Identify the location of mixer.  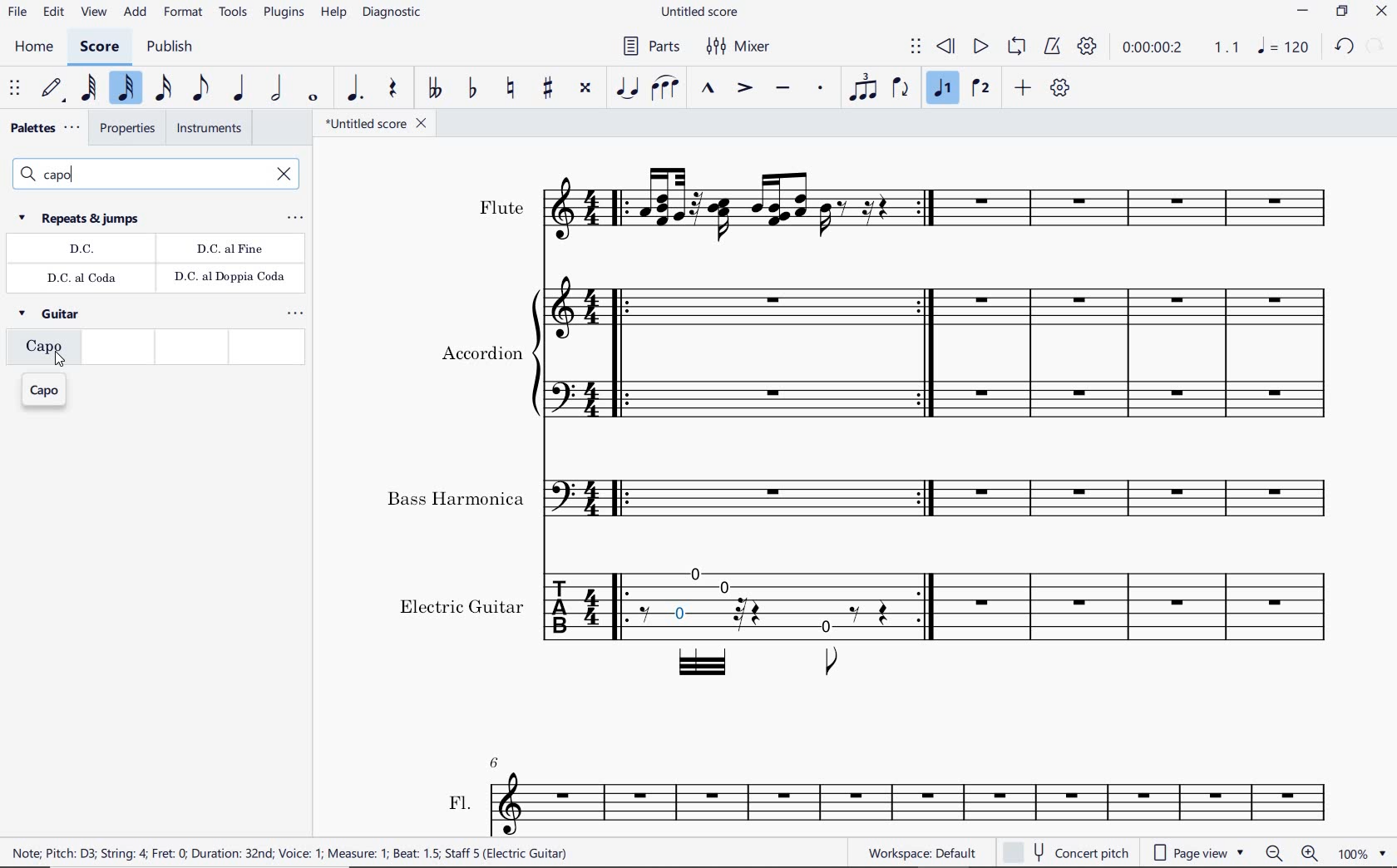
(739, 45).